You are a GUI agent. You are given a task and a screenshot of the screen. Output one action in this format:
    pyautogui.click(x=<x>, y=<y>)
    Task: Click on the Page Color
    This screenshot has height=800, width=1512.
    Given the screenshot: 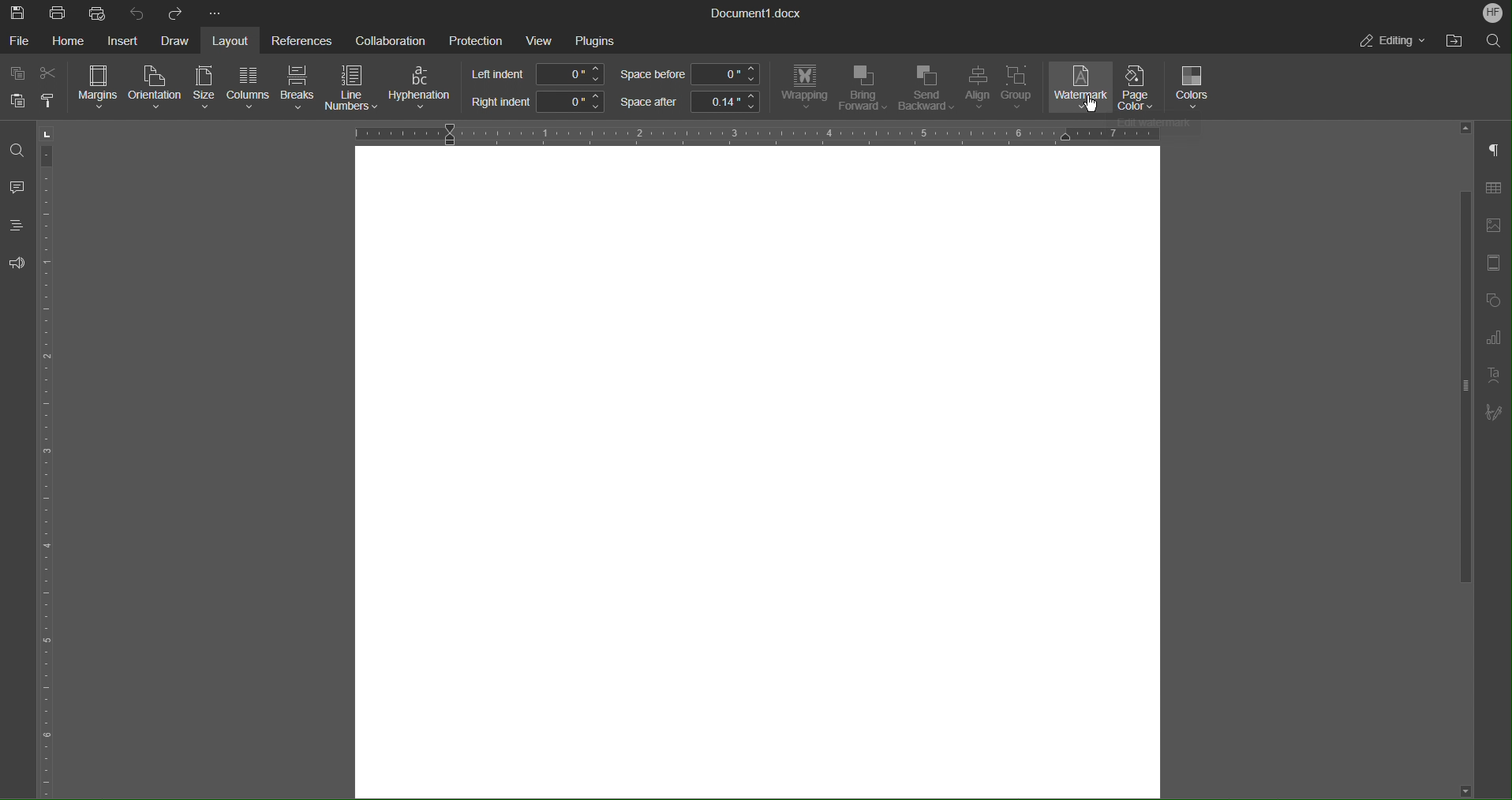 What is the action you would take?
    pyautogui.click(x=1141, y=88)
    